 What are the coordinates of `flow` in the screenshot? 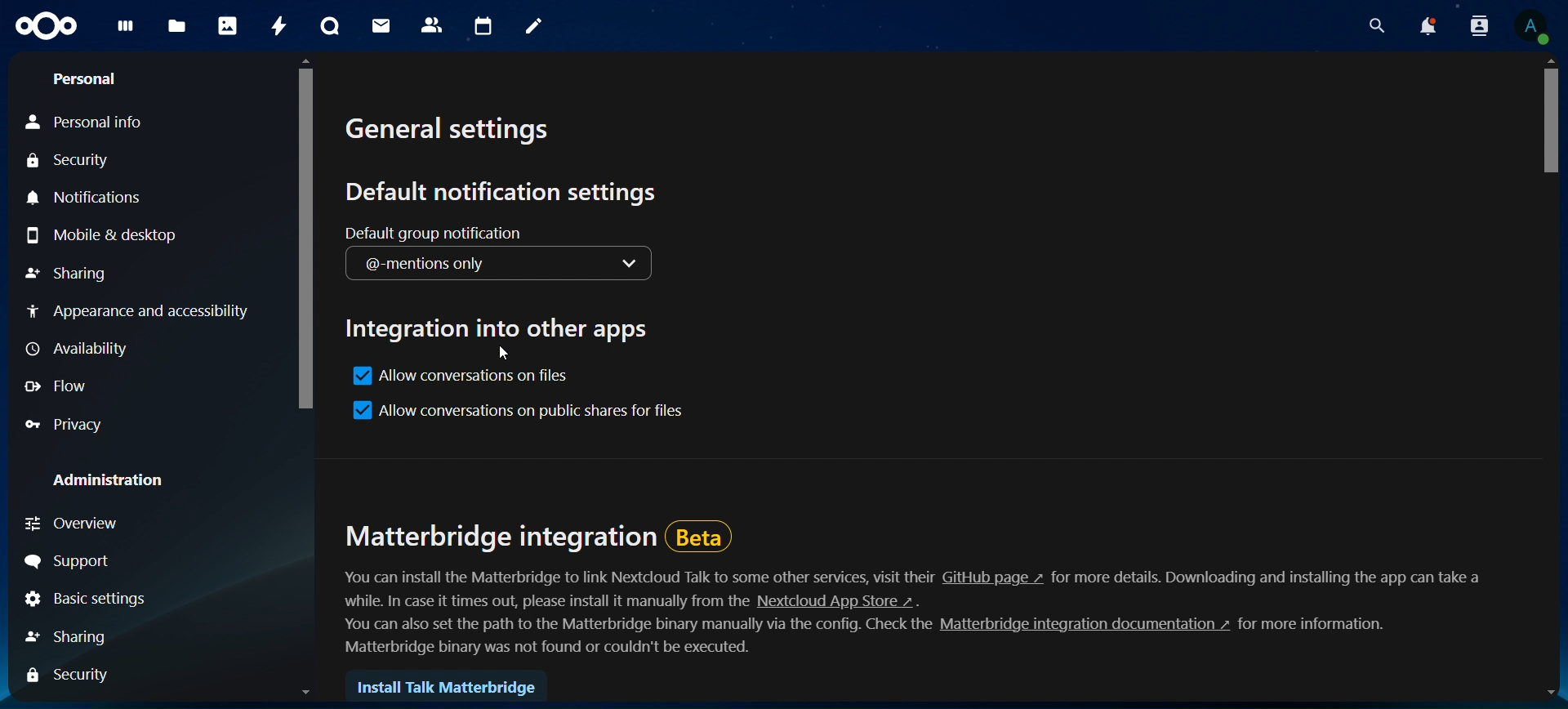 It's located at (59, 389).